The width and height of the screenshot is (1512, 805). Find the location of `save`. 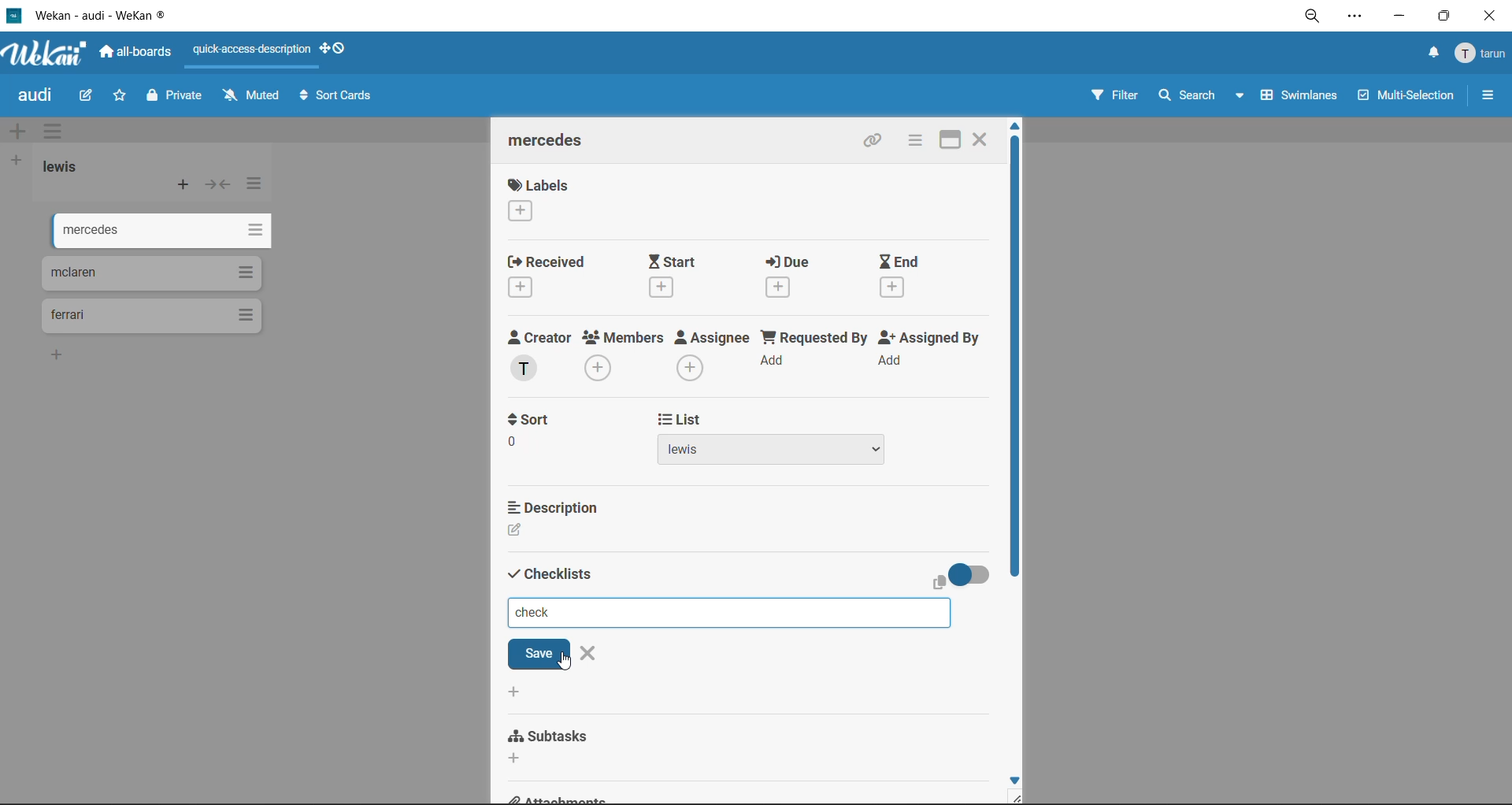

save is located at coordinates (537, 655).